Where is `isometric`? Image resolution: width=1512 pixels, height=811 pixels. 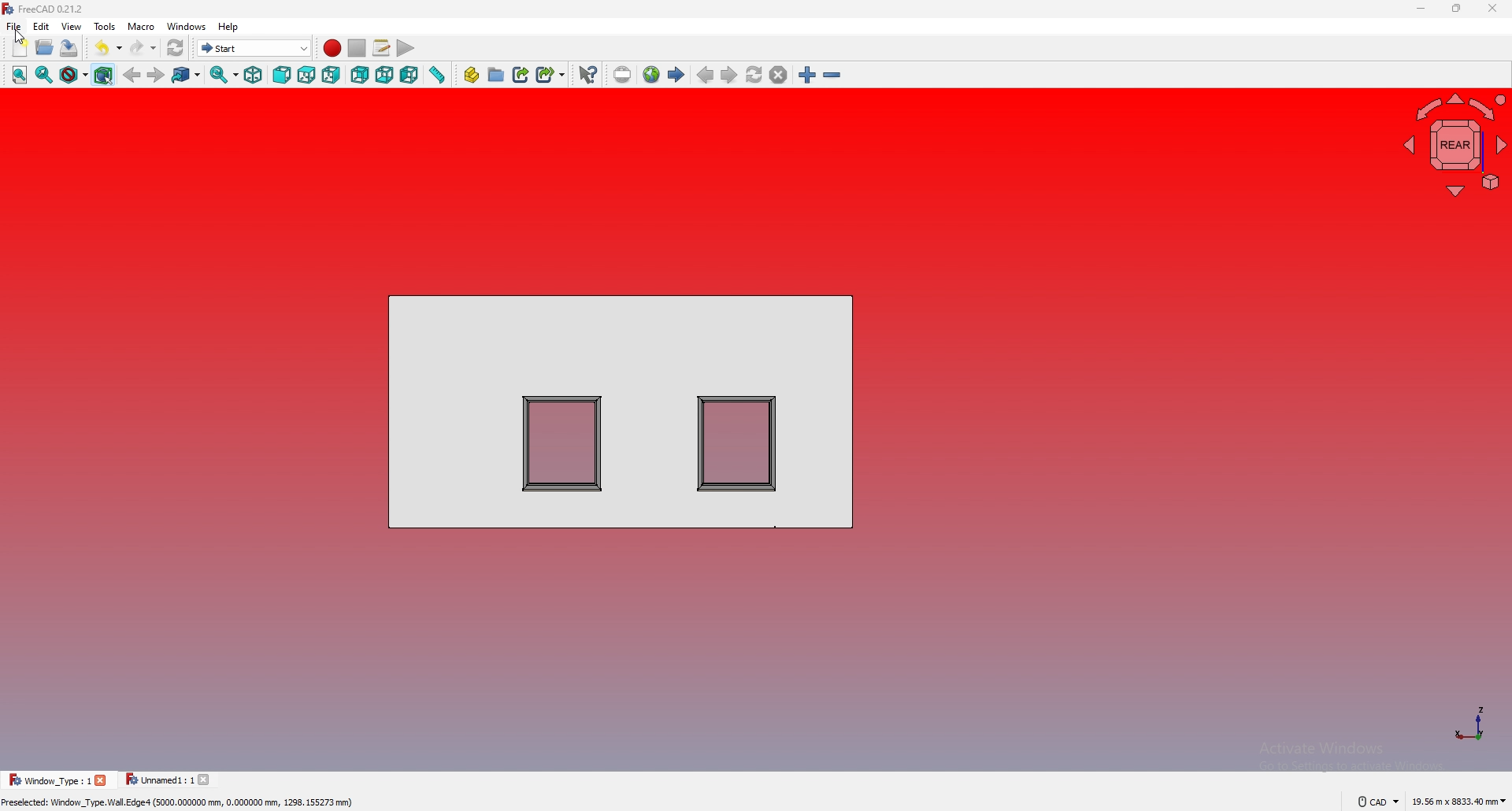 isometric is located at coordinates (254, 76).